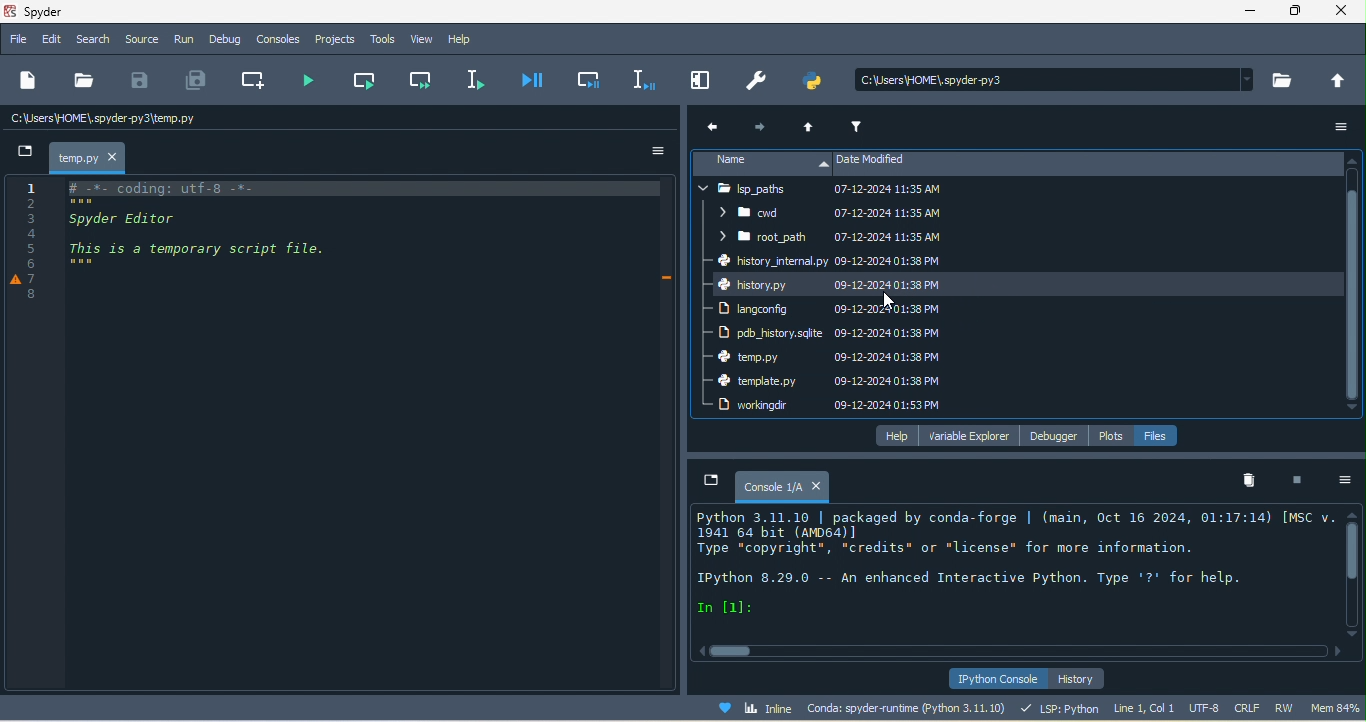 This screenshot has height=722, width=1366. Describe the element at coordinates (860, 124) in the screenshot. I see `filter` at that location.